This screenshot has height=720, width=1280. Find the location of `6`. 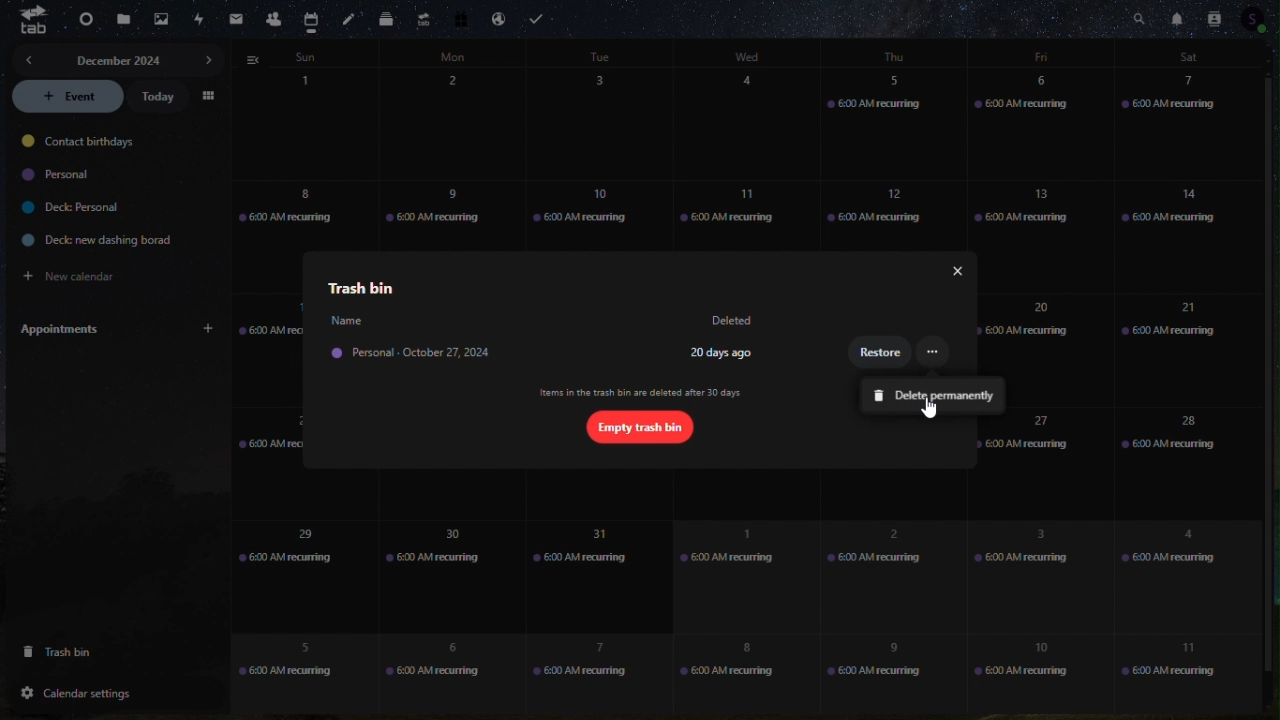

6 is located at coordinates (435, 669).